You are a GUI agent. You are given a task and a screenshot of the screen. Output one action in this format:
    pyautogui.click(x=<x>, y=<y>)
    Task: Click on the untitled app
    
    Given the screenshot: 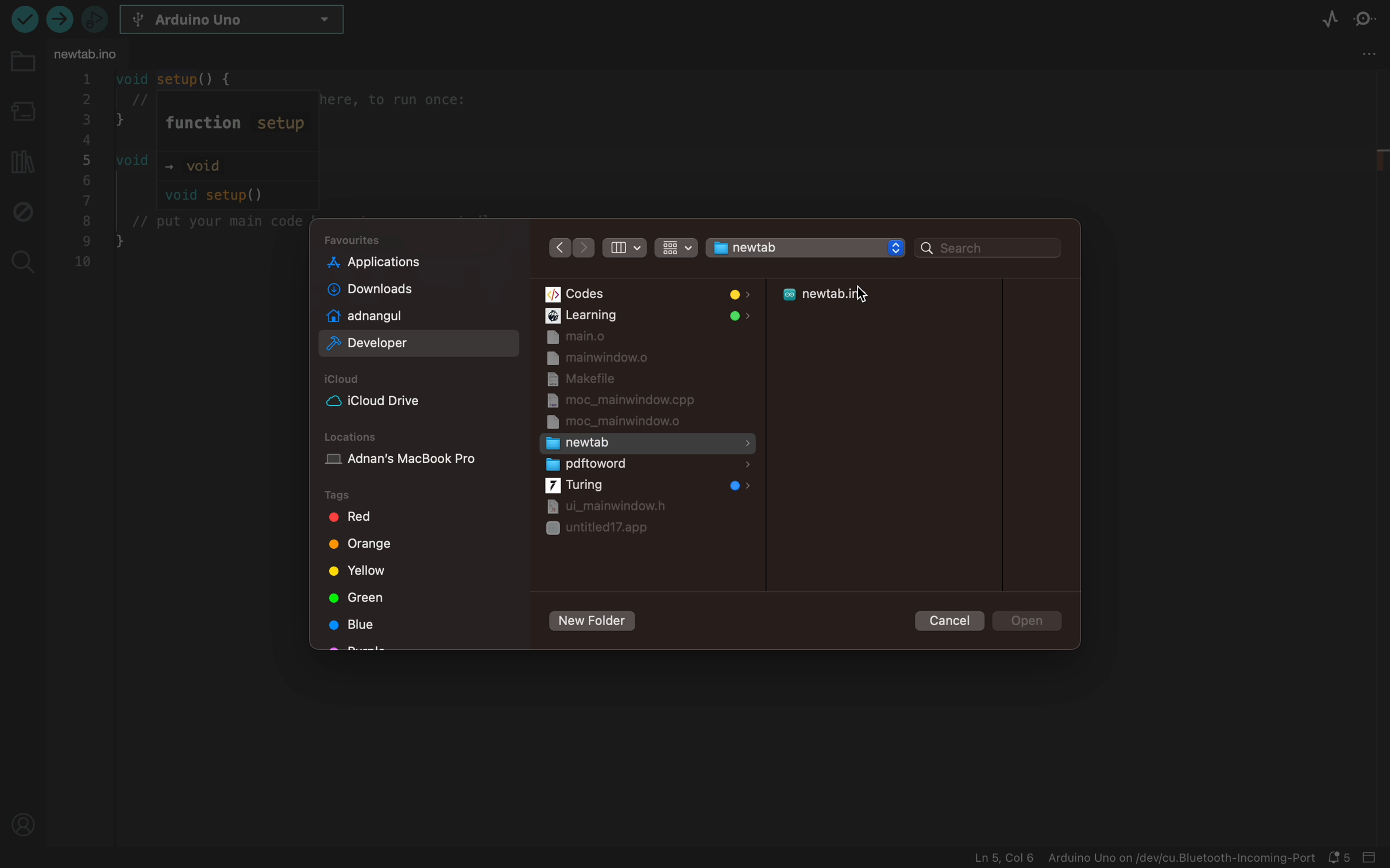 What is the action you would take?
    pyautogui.click(x=599, y=529)
    